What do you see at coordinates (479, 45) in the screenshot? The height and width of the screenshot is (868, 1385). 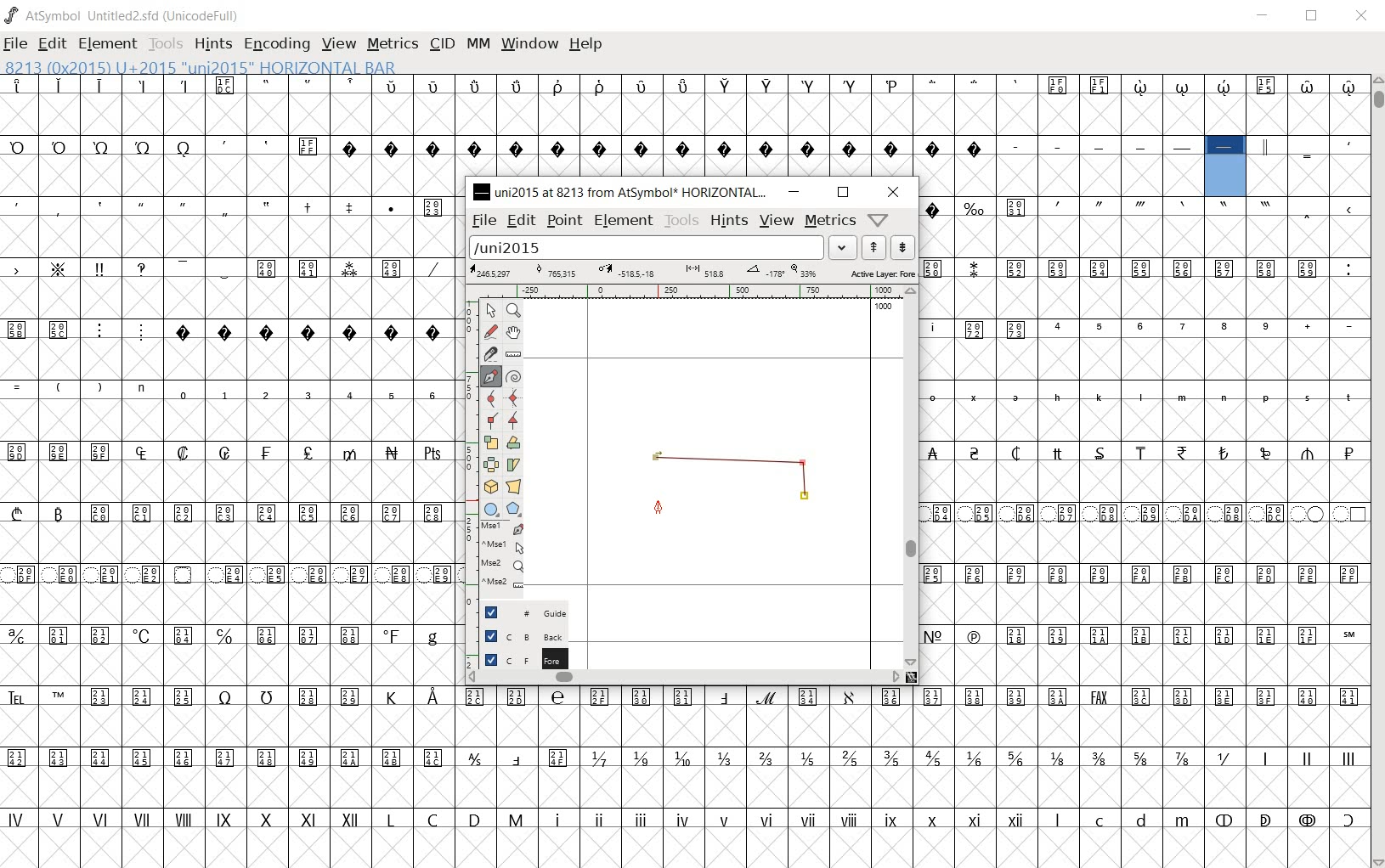 I see `MM` at bounding box center [479, 45].